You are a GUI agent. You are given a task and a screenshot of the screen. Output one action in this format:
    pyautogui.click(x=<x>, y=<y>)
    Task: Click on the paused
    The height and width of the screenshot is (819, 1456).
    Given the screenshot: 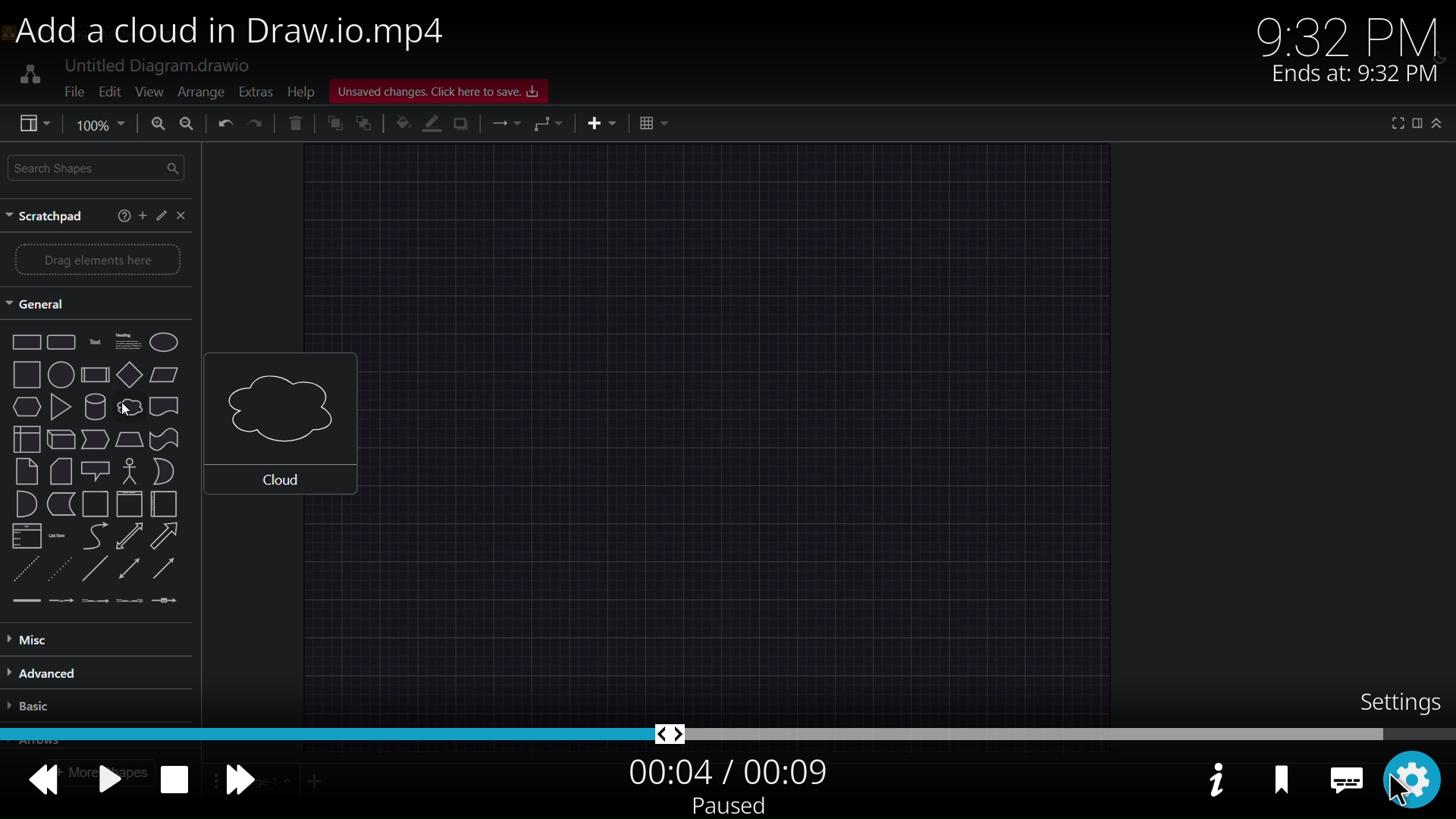 What is the action you would take?
    pyautogui.click(x=731, y=806)
    